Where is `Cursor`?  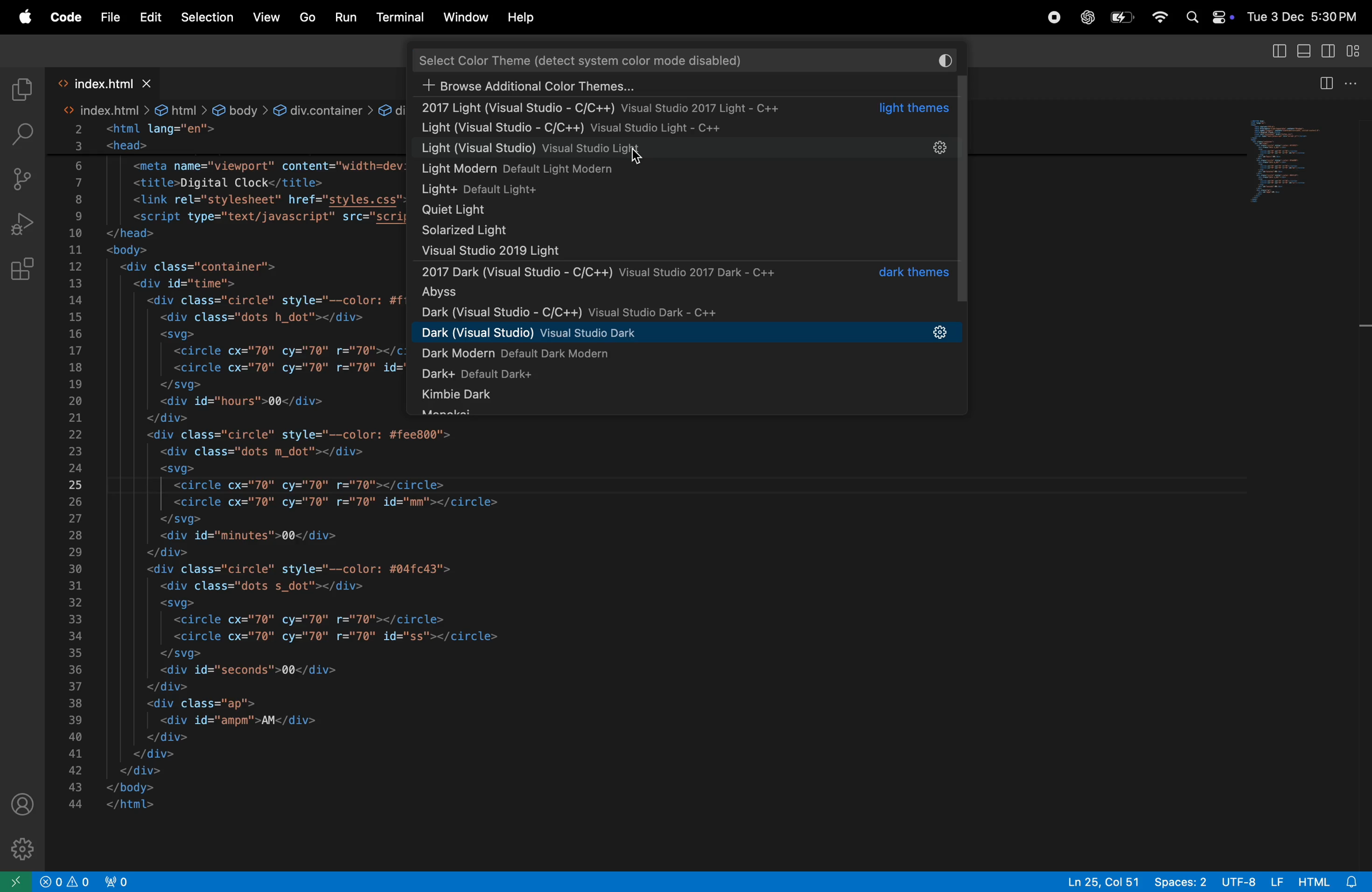
Cursor is located at coordinates (638, 158).